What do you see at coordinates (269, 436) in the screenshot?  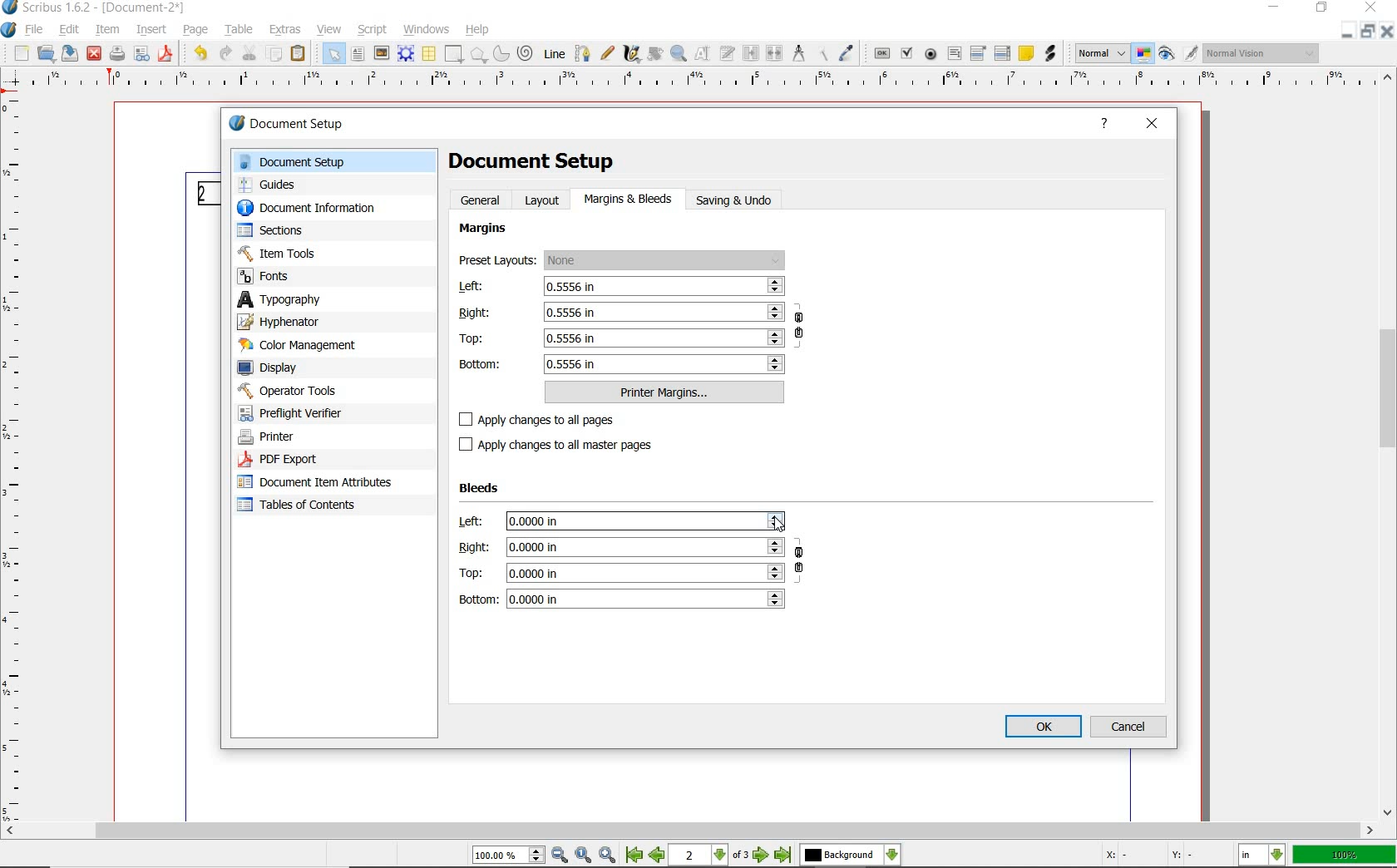 I see `printer` at bounding box center [269, 436].